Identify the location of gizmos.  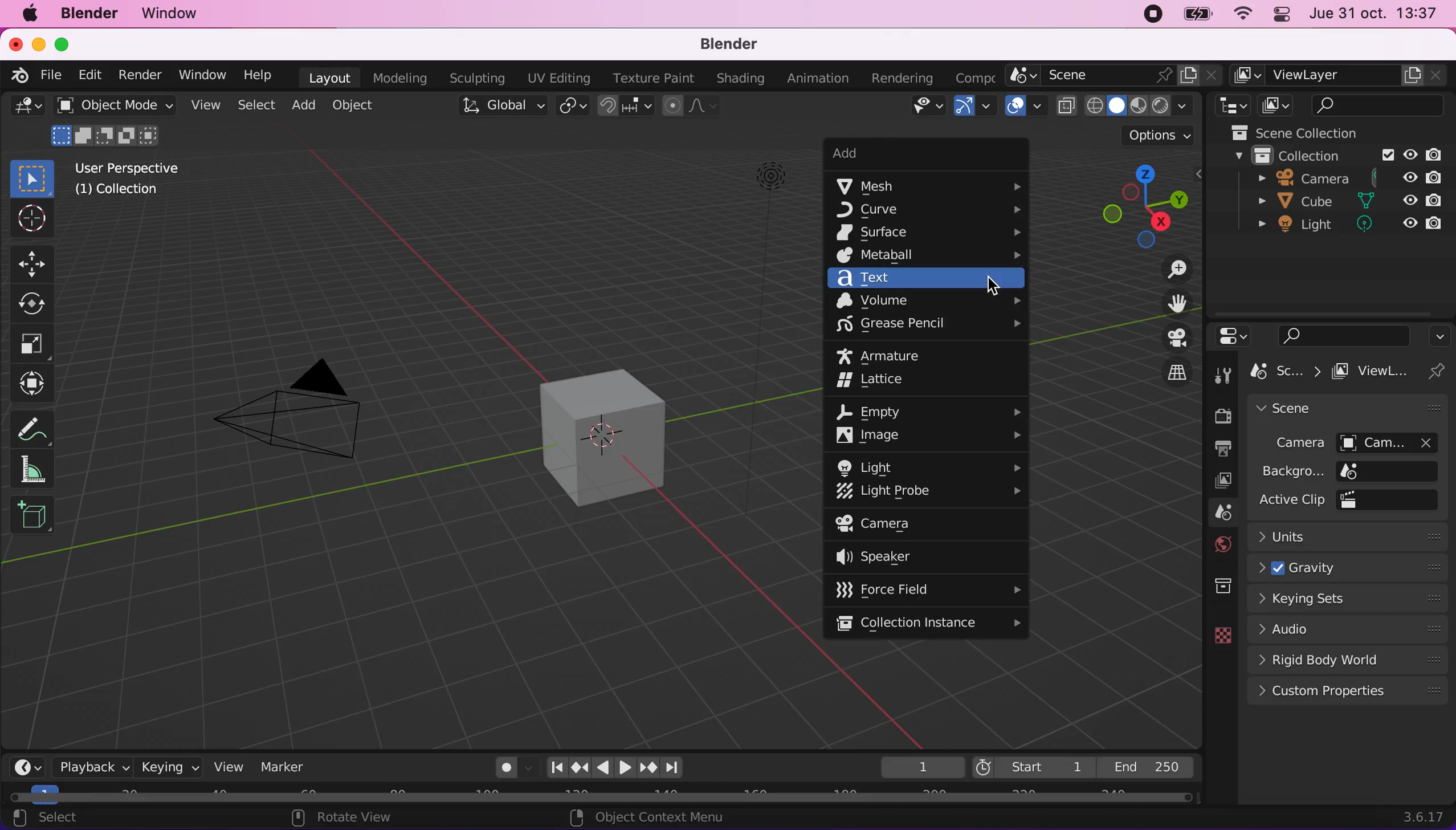
(974, 107).